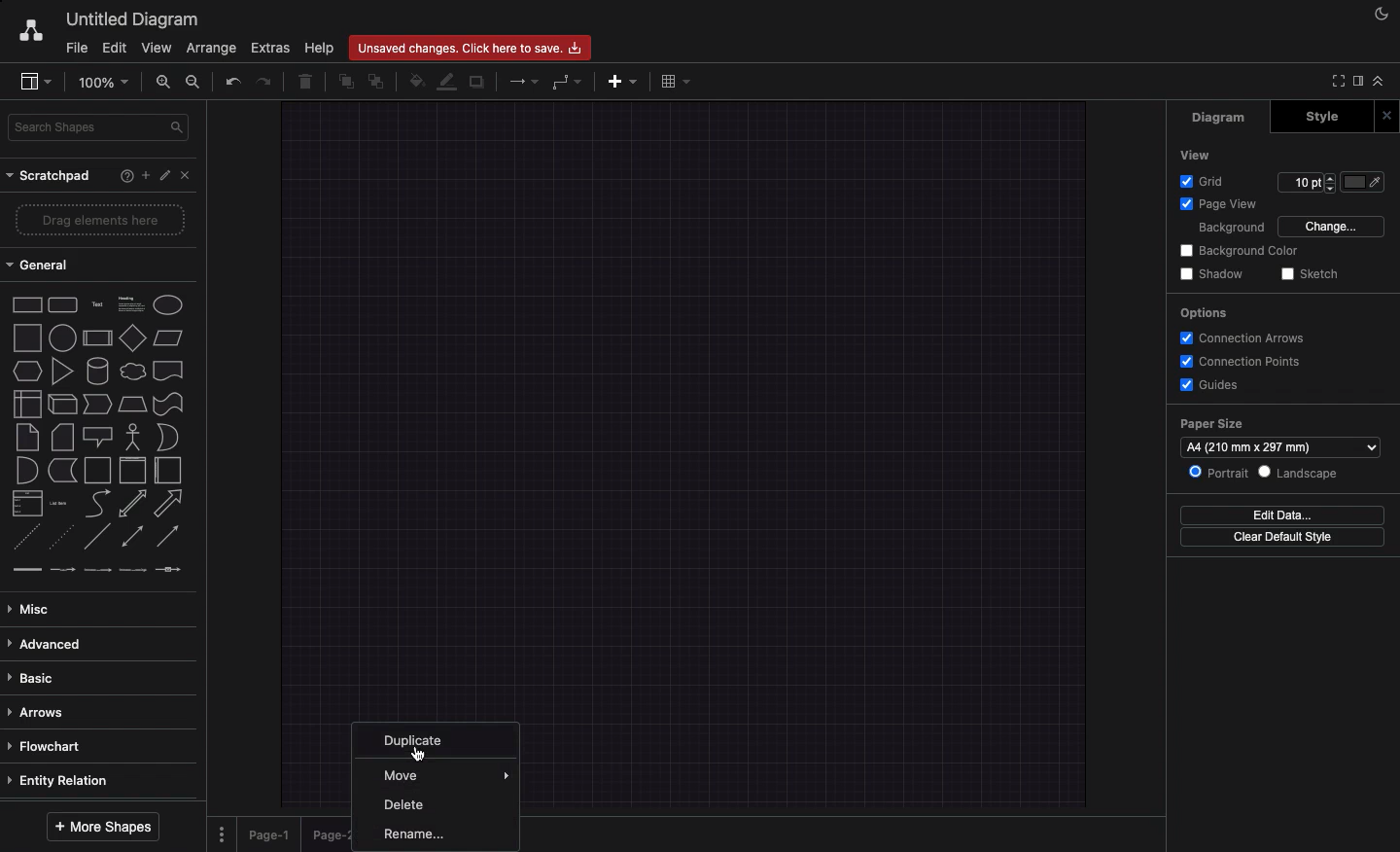 This screenshot has width=1400, height=852. What do you see at coordinates (1244, 360) in the screenshot?
I see `Connection points` at bounding box center [1244, 360].